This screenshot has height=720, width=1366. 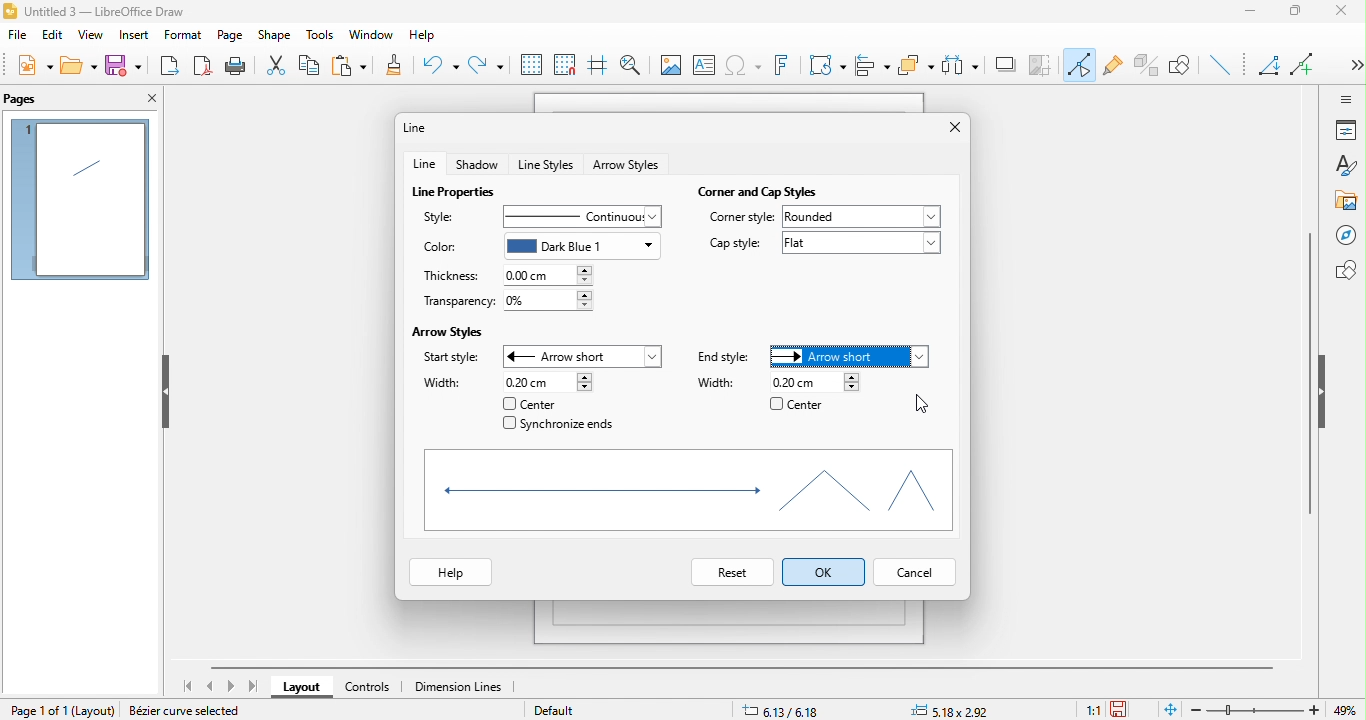 I want to click on line, so click(x=422, y=127).